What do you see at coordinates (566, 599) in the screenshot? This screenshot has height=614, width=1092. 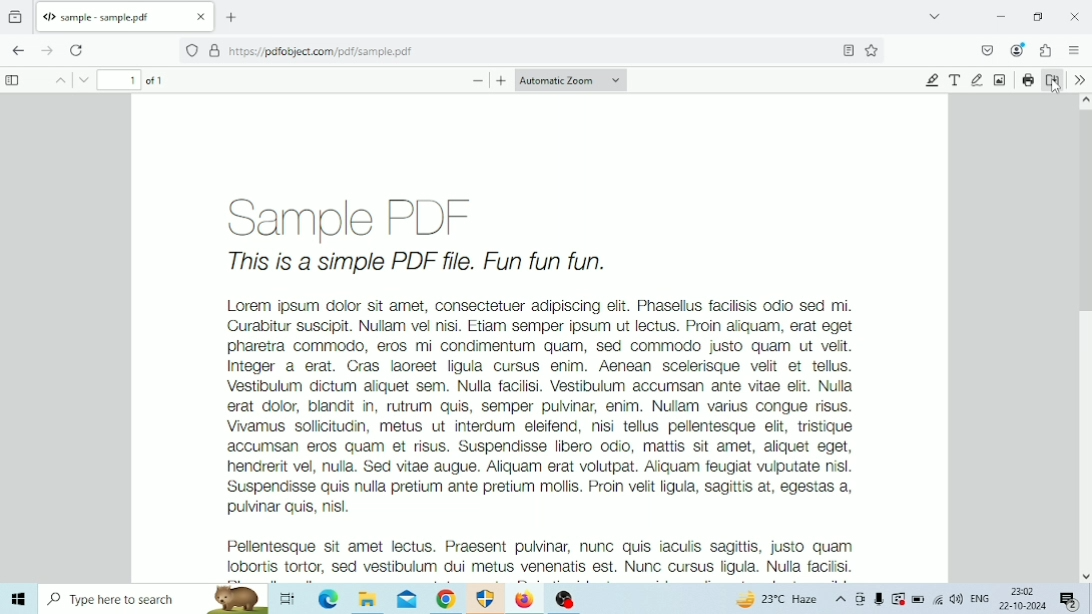 I see `OBS Studio` at bounding box center [566, 599].